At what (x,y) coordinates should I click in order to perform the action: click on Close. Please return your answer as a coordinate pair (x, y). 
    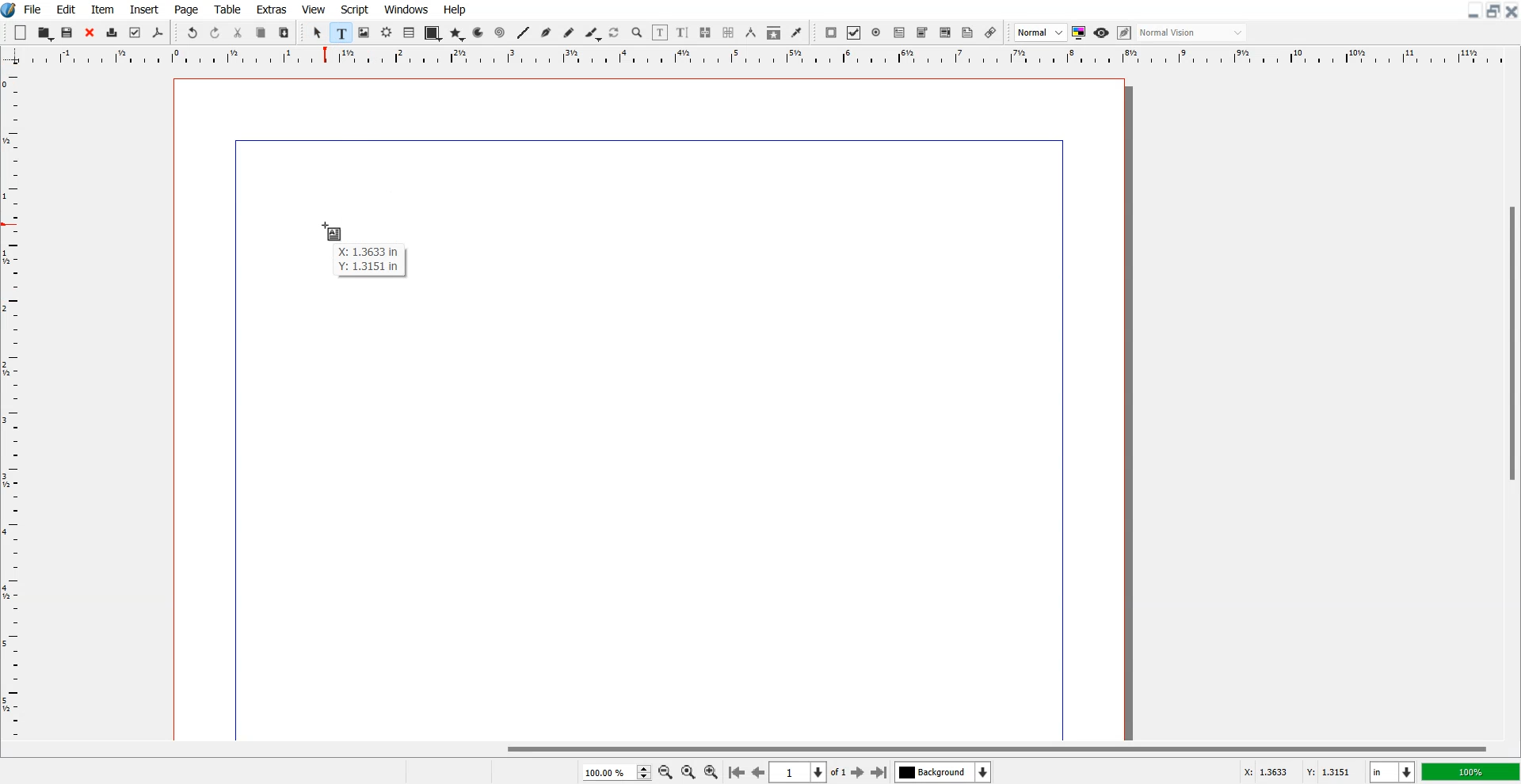
    Looking at the image, I should click on (1511, 10).